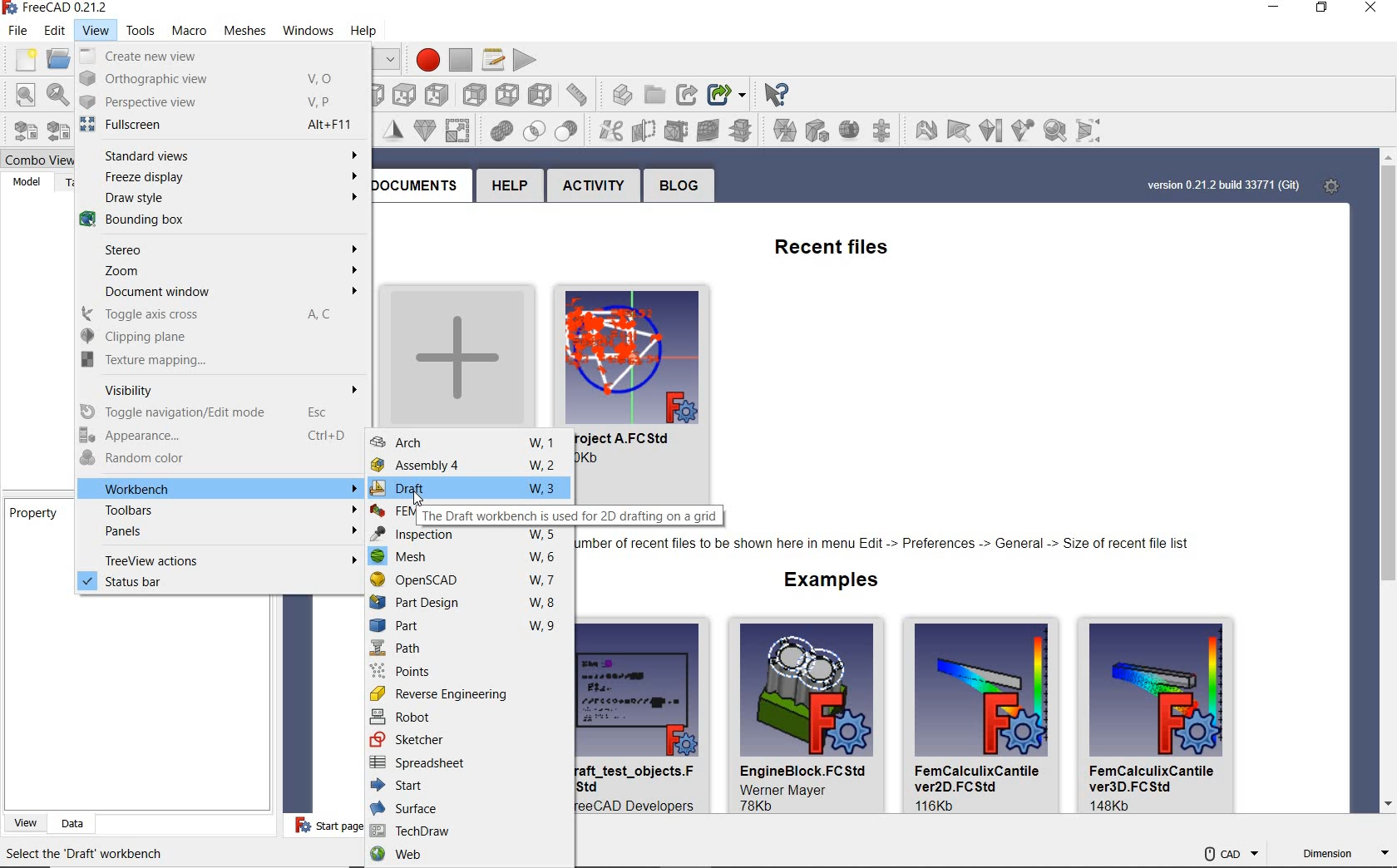 This screenshot has height=868, width=1397. What do you see at coordinates (17, 31) in the screenshot?
I see `file` at bounding box center [17, 31].